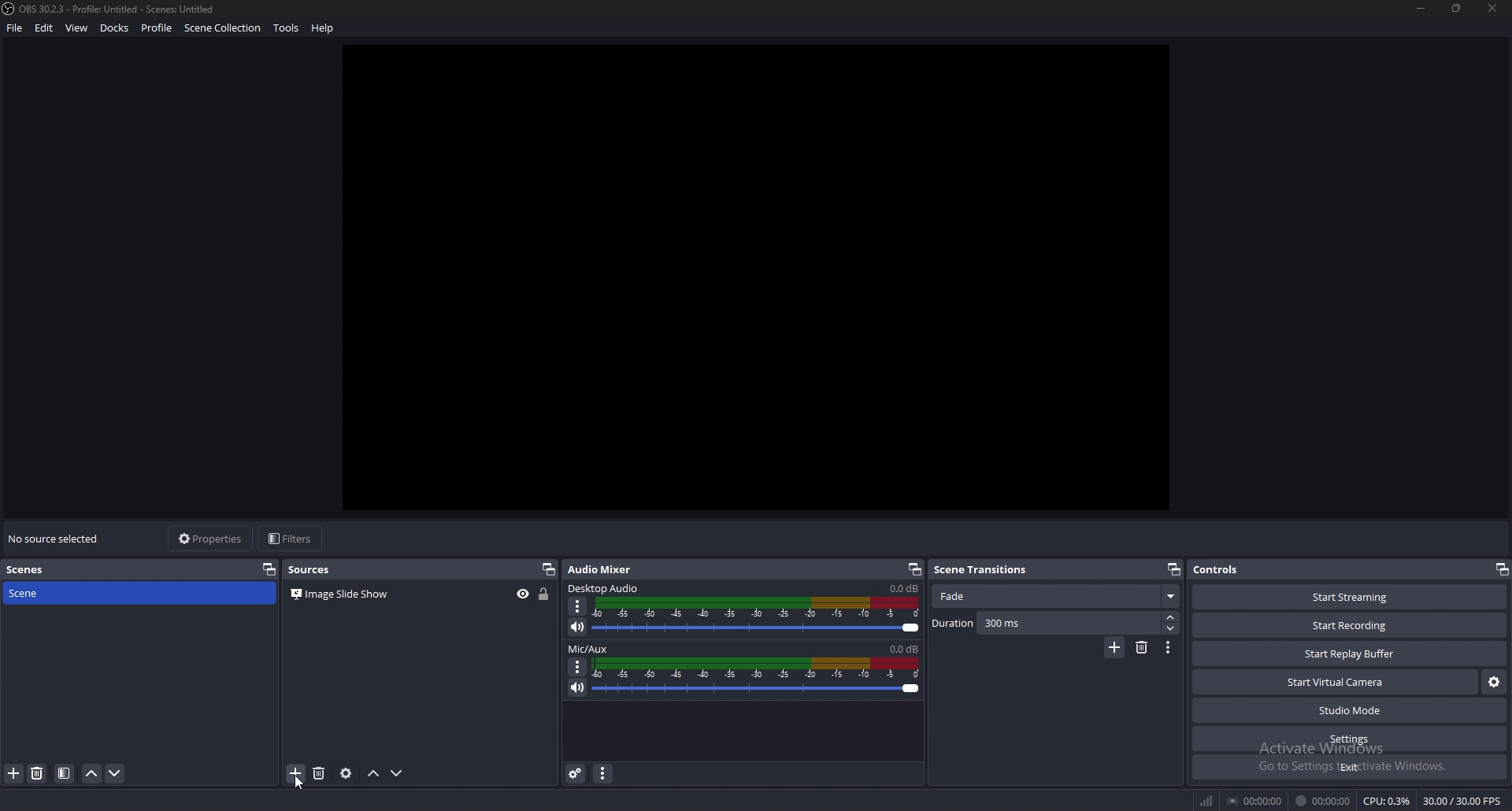 The image size is (1512, 811). I want to click on volume adjust, so click(758, 676).